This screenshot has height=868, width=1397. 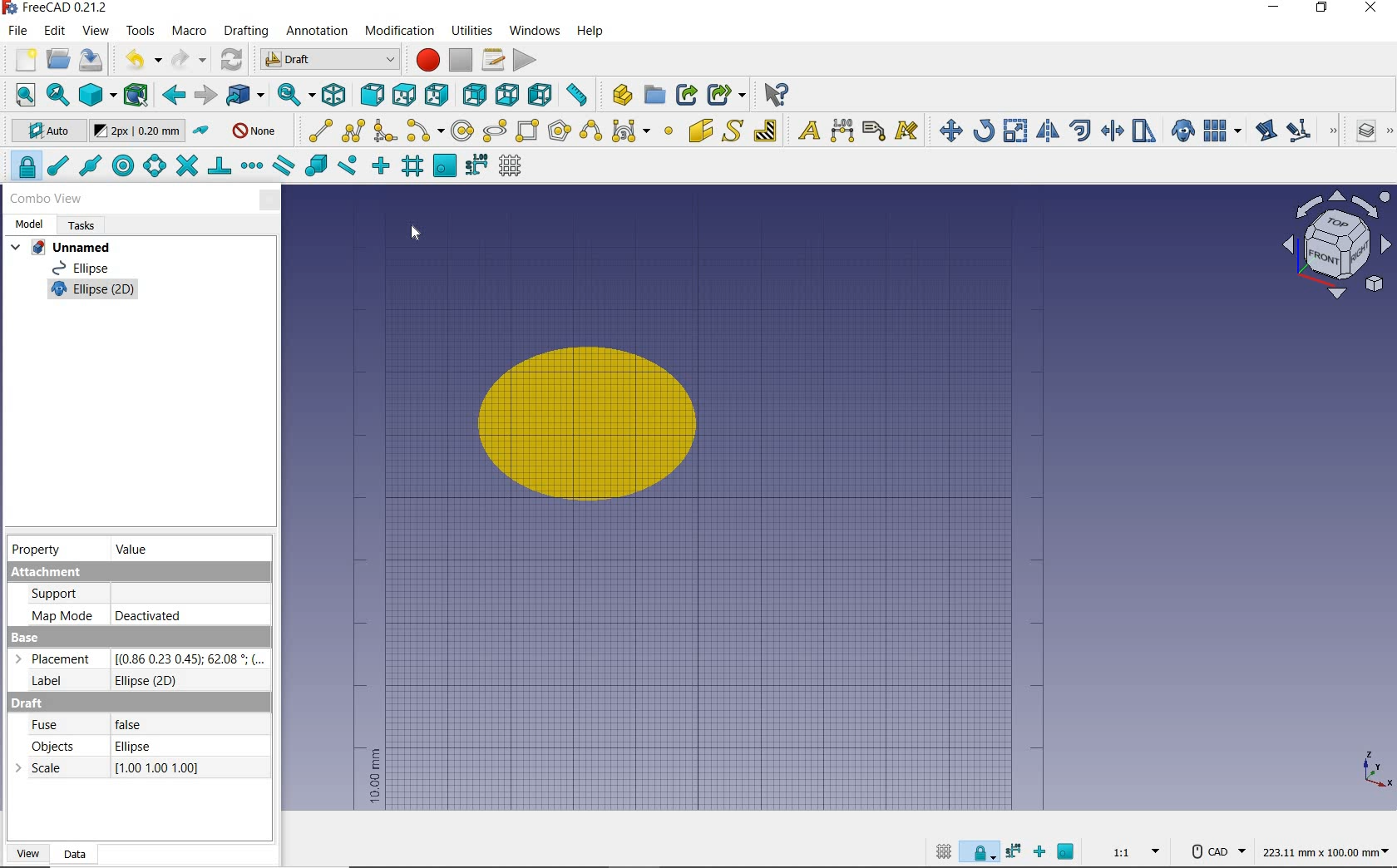 What do you see at coordinates (1325, 856) in the screenshot?
I see `dimension` at bounding box center [1325, 856].